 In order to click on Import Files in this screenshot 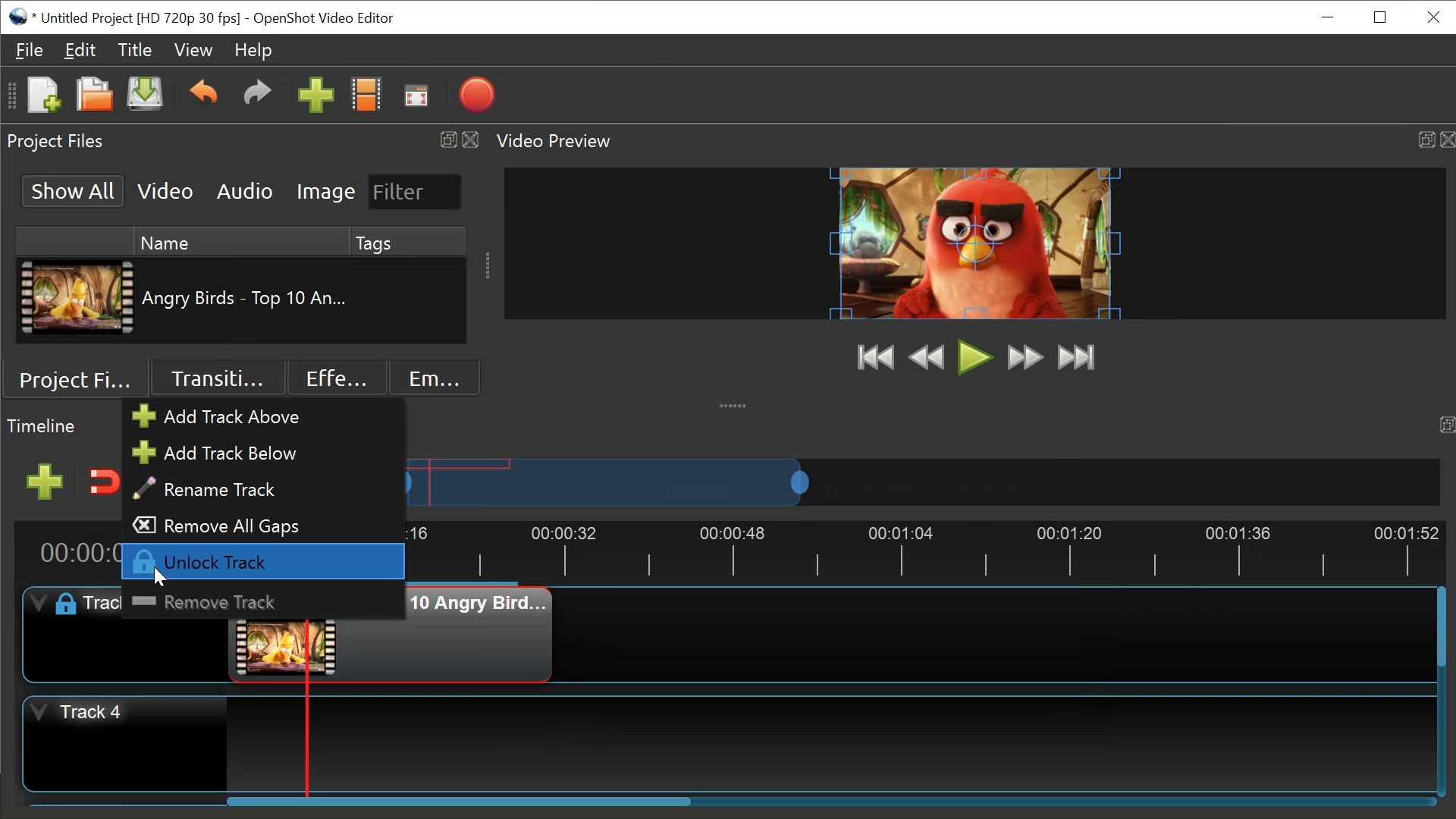, I will do `click(315, 97)`.